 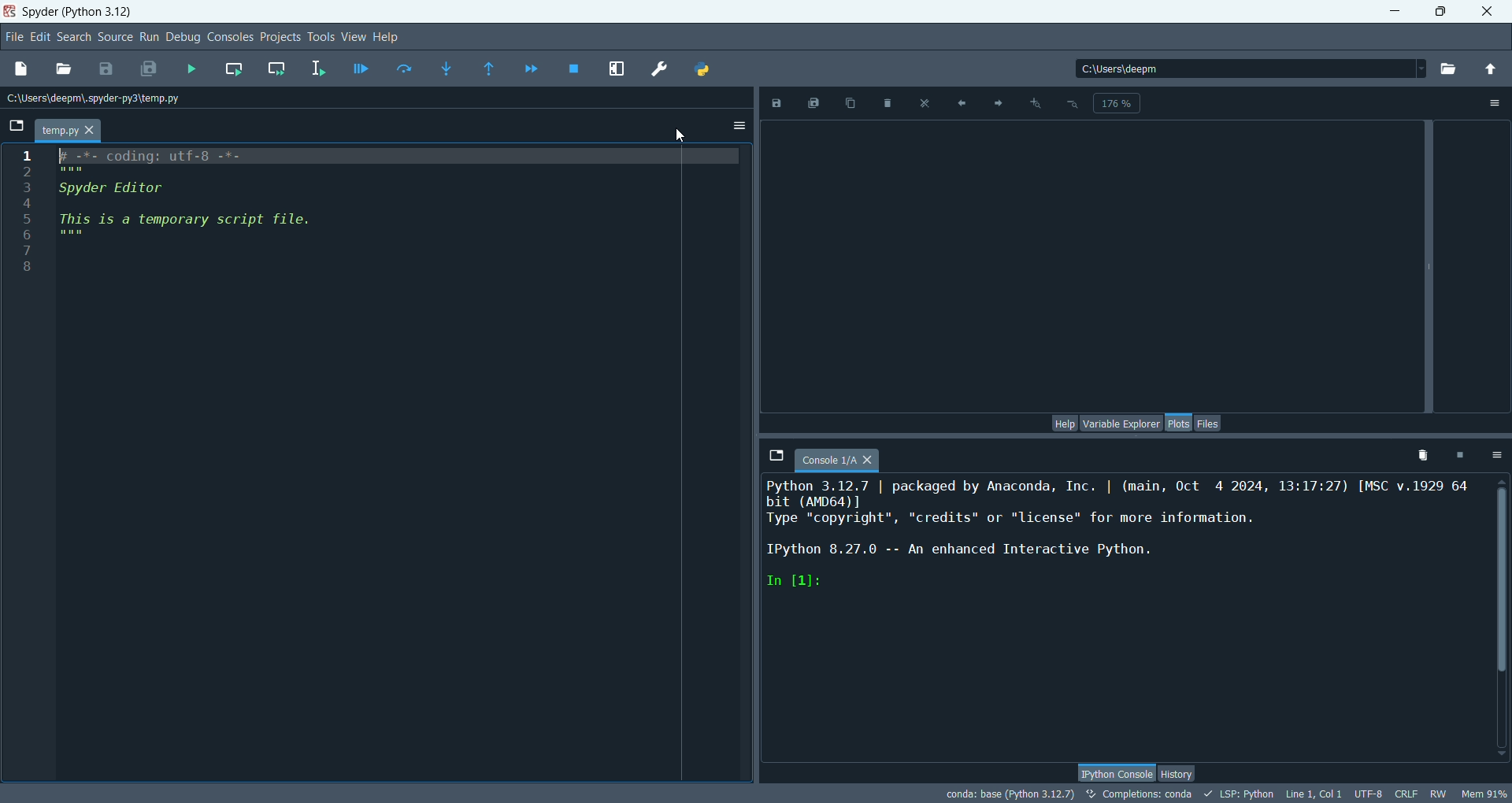 I want to click on files, so click(x=1210, y=422).